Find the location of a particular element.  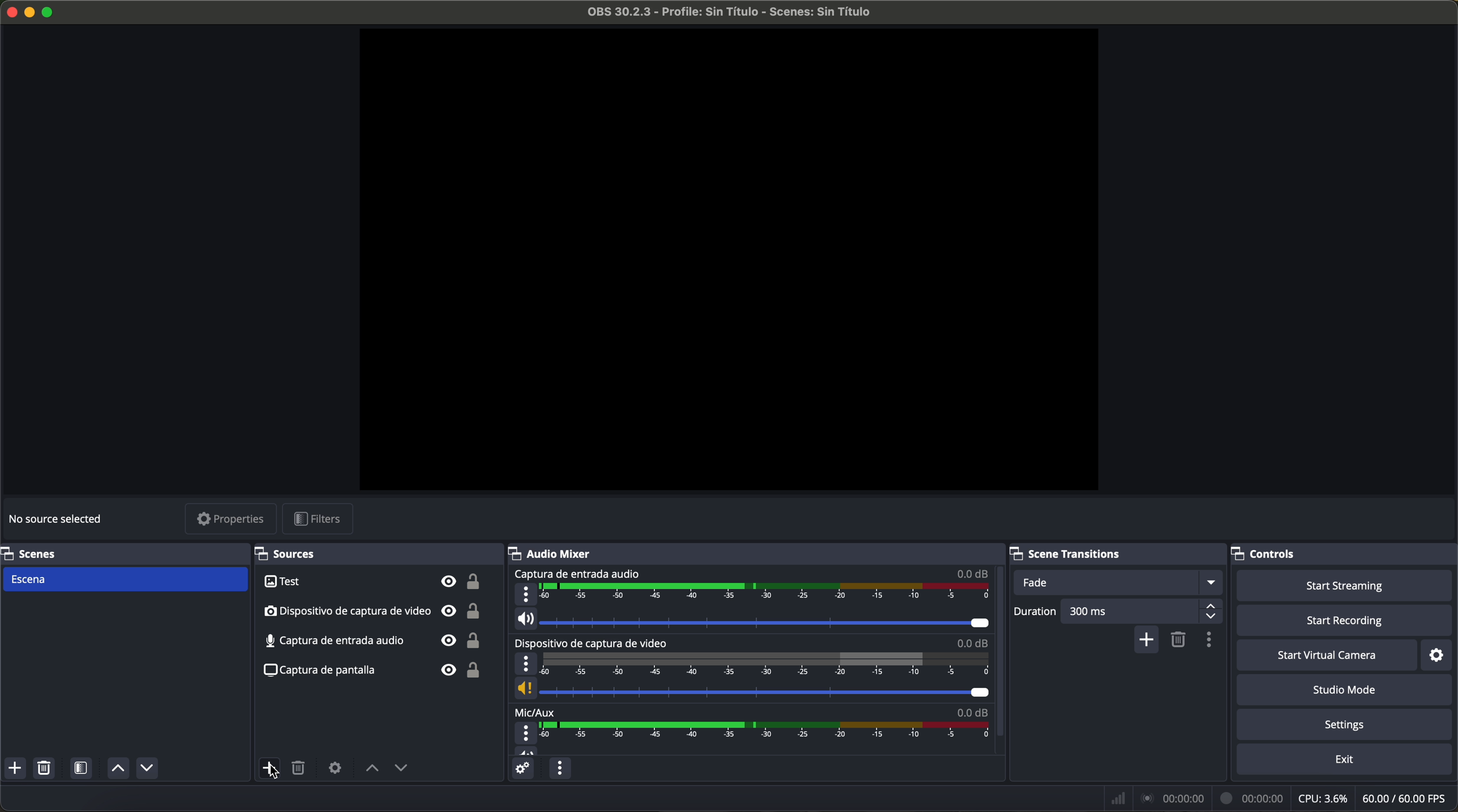

add configurable transition is located at coordinates (1147, 641).